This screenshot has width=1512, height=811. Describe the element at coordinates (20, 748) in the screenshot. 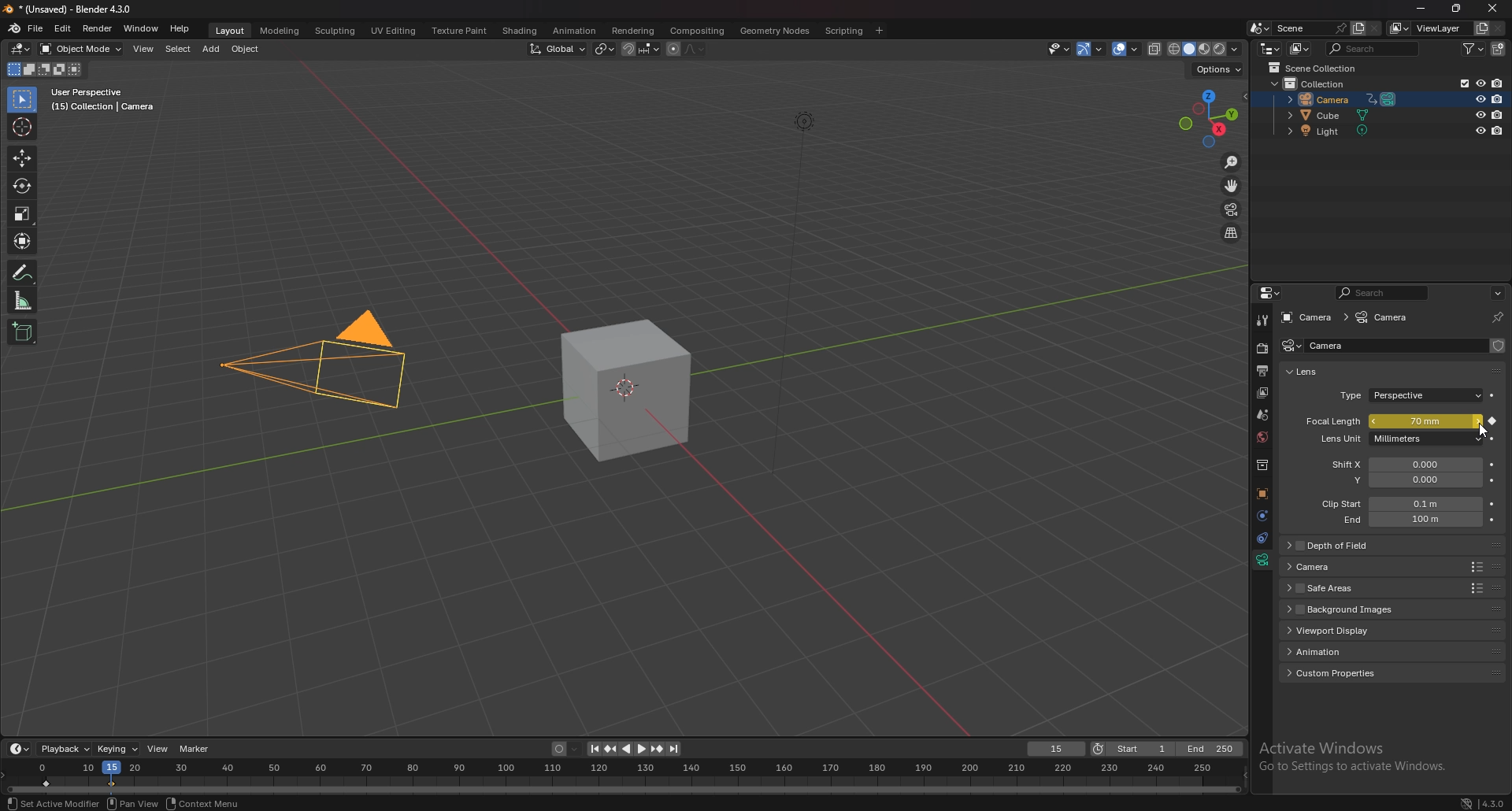

I see `editor type` at that location.